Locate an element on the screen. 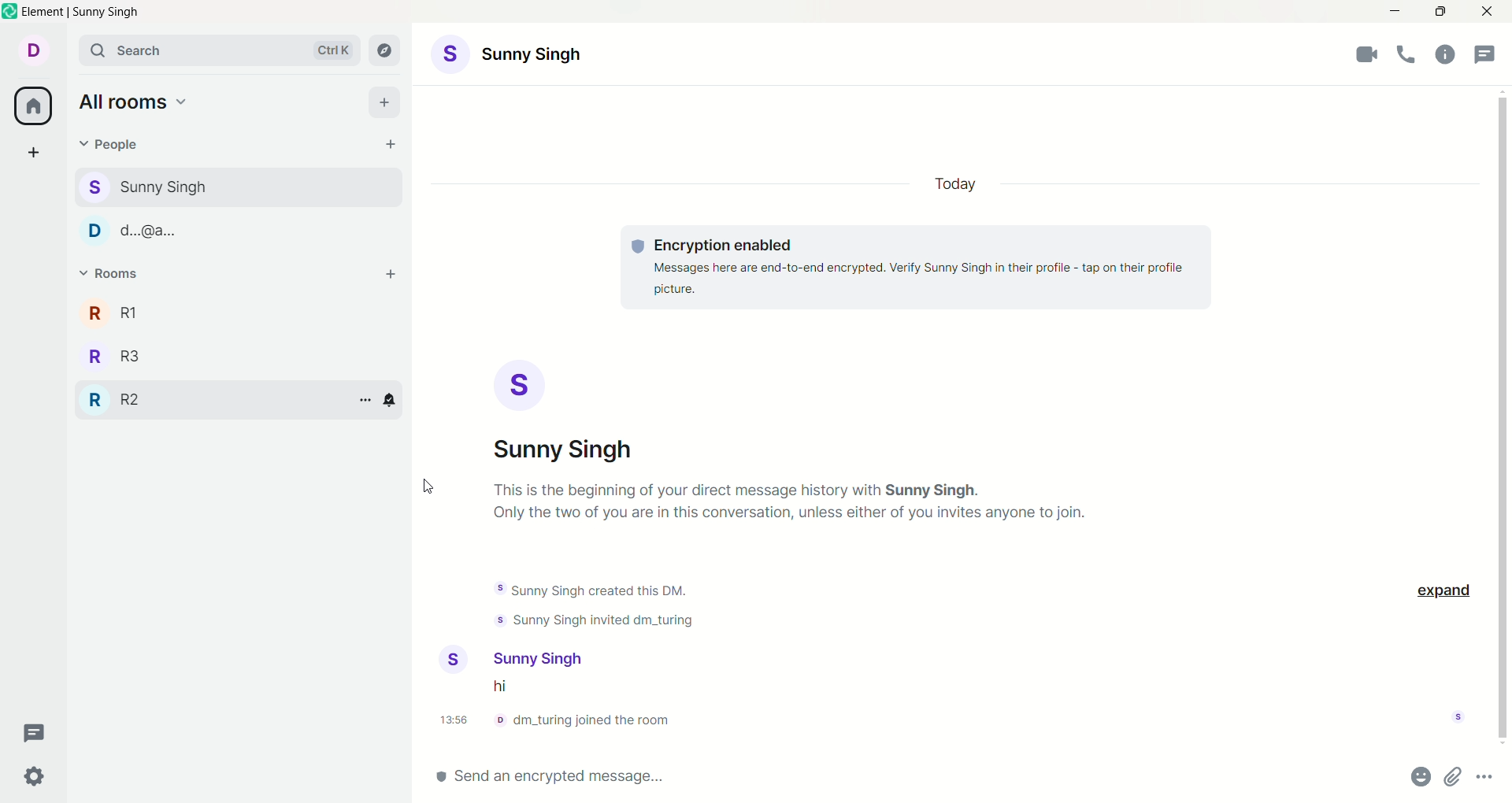  threads is located at coordinates (1488, 50).